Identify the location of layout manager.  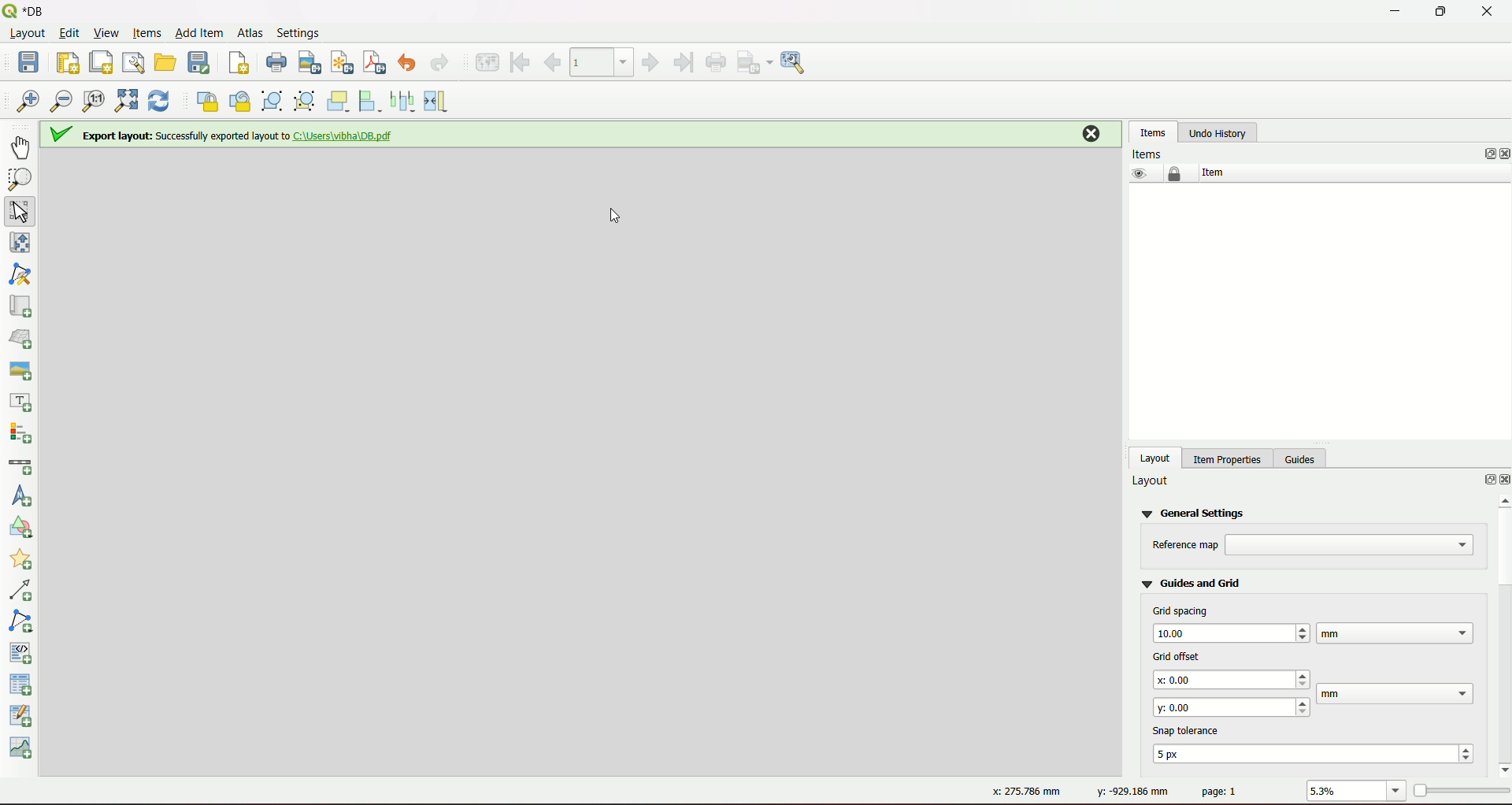
(133, 62).